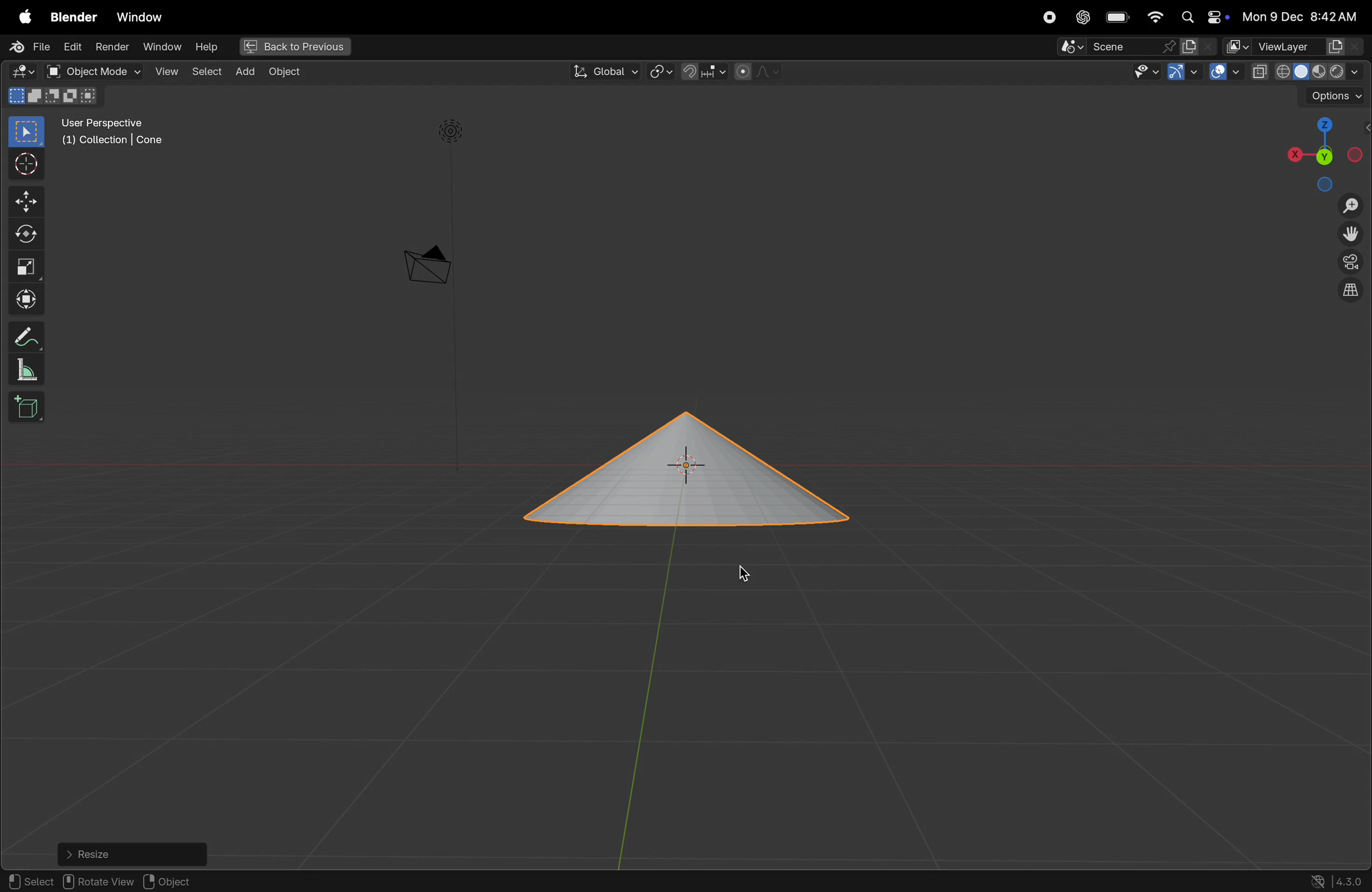 This screenshot has height=892, width=1372. Describe the element at coordinates (28, 132) in the screenshot. I see `select box` at that location.